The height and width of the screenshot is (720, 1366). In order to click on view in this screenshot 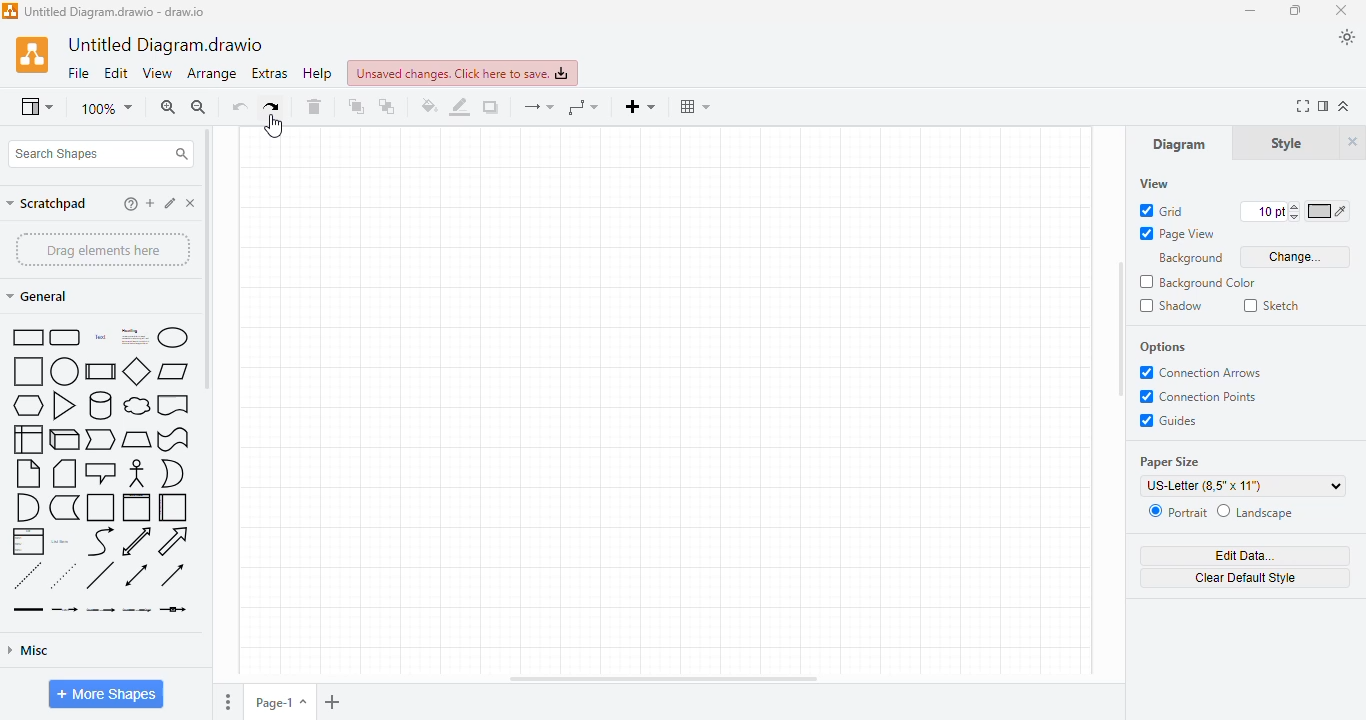, I will do `click(158, 74)`.